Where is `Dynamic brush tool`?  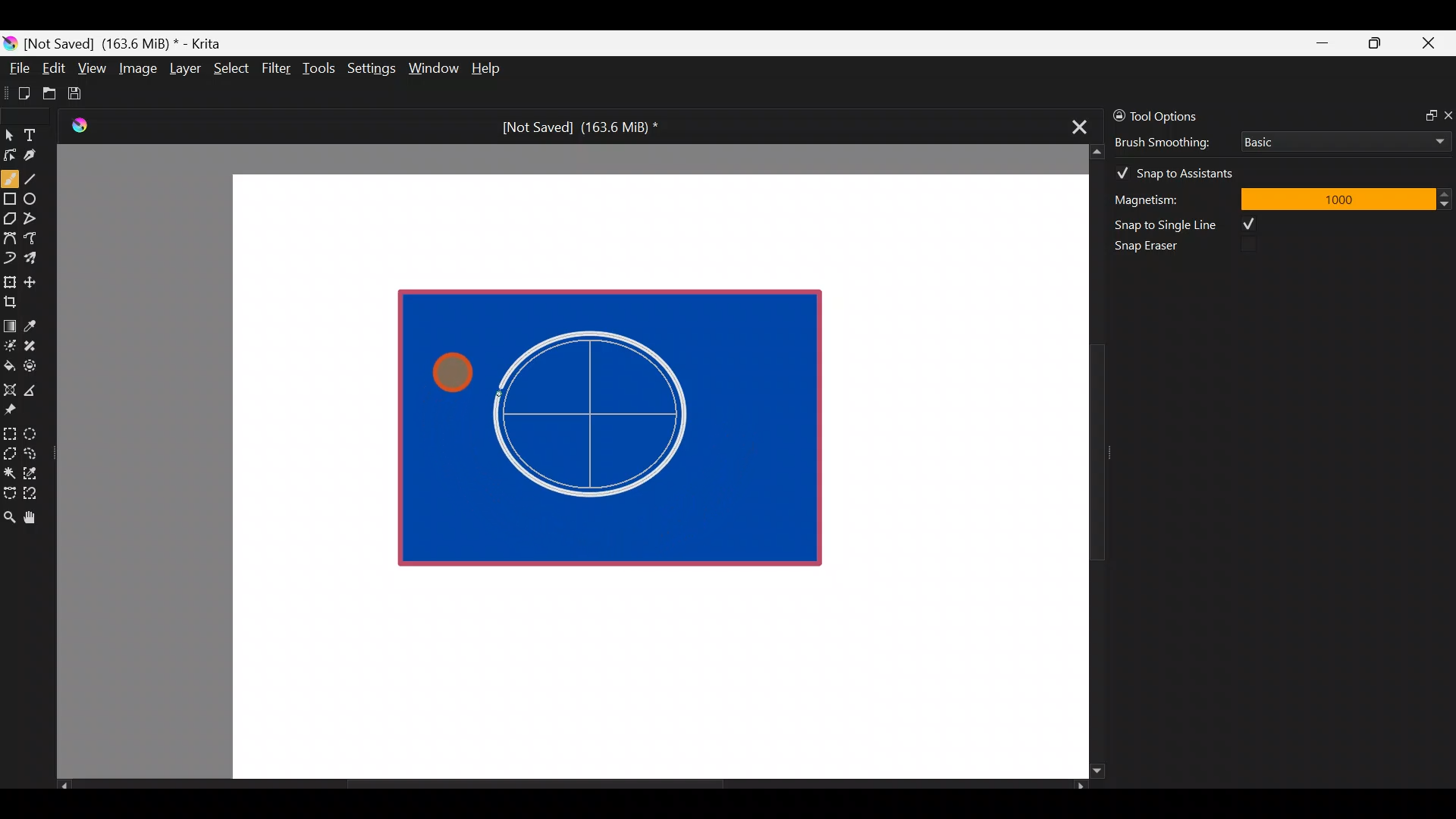
Dynamic brush tool is located at coordinates (11, 258).